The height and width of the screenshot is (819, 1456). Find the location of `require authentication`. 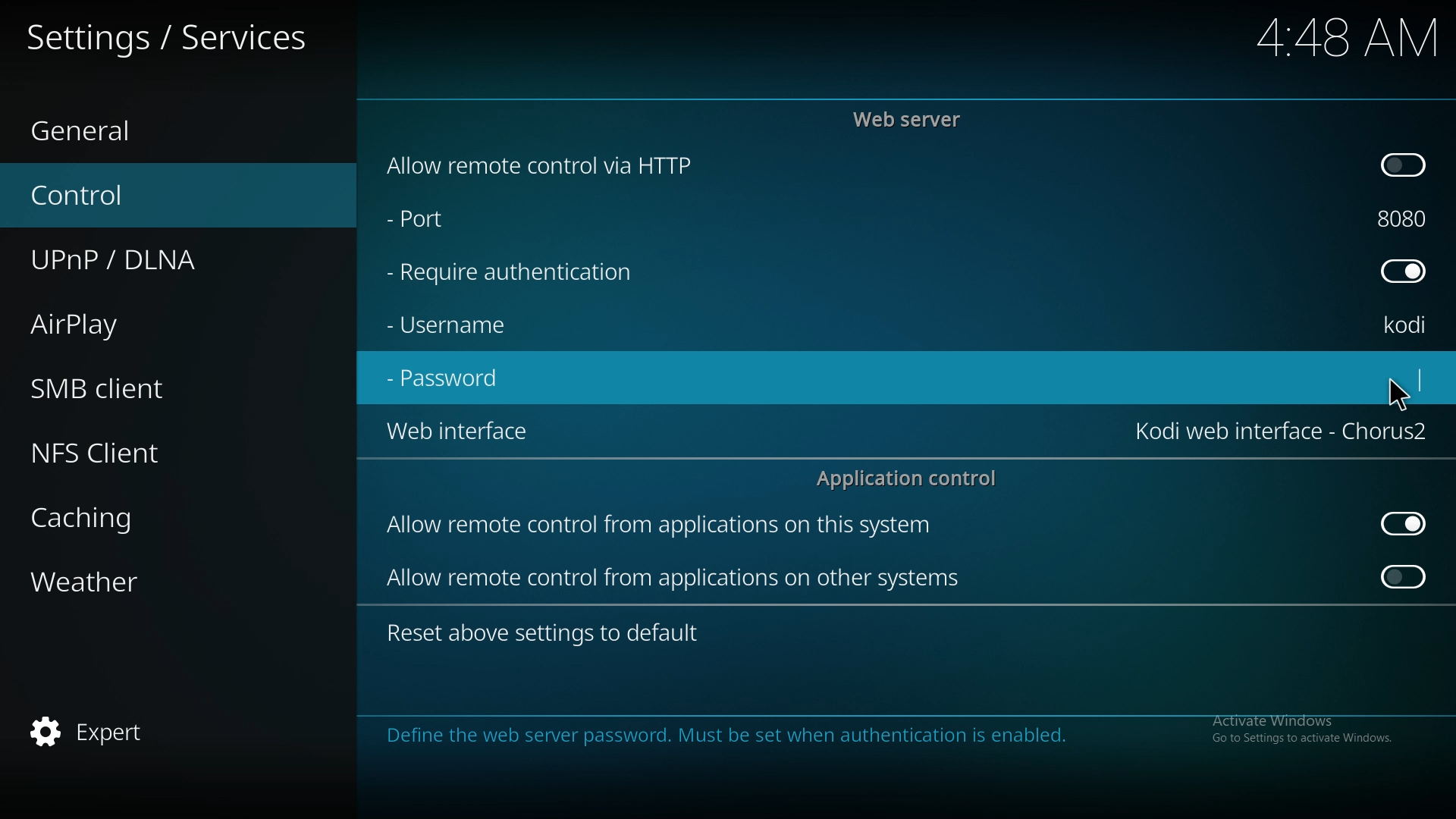

require authentication is located at coordinates (529, 275).